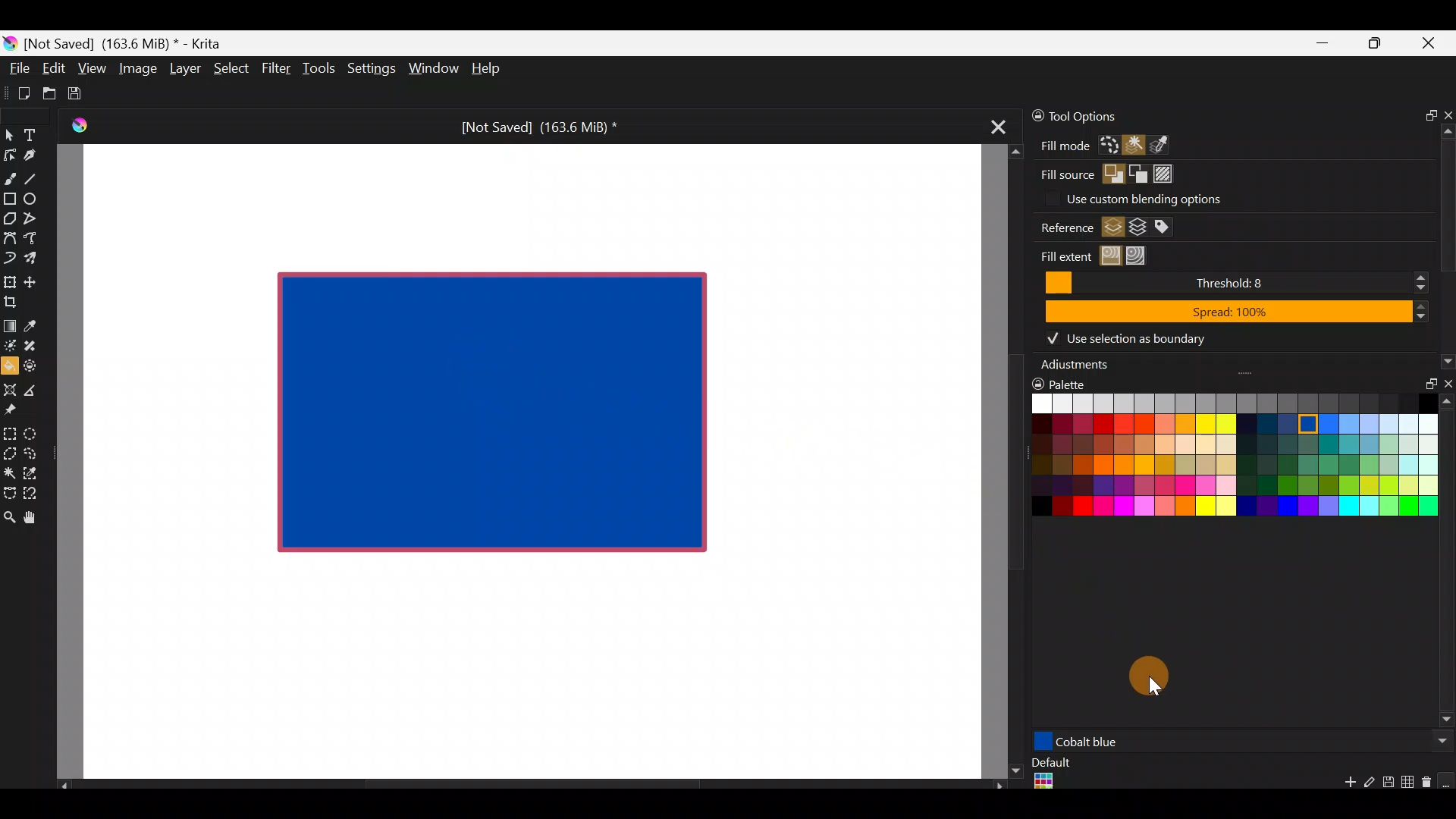 The width and height of the screenshot is (1456, 819). Describe the element at coordinates (80, 94) in the screenshot. I see `Save` at that location.